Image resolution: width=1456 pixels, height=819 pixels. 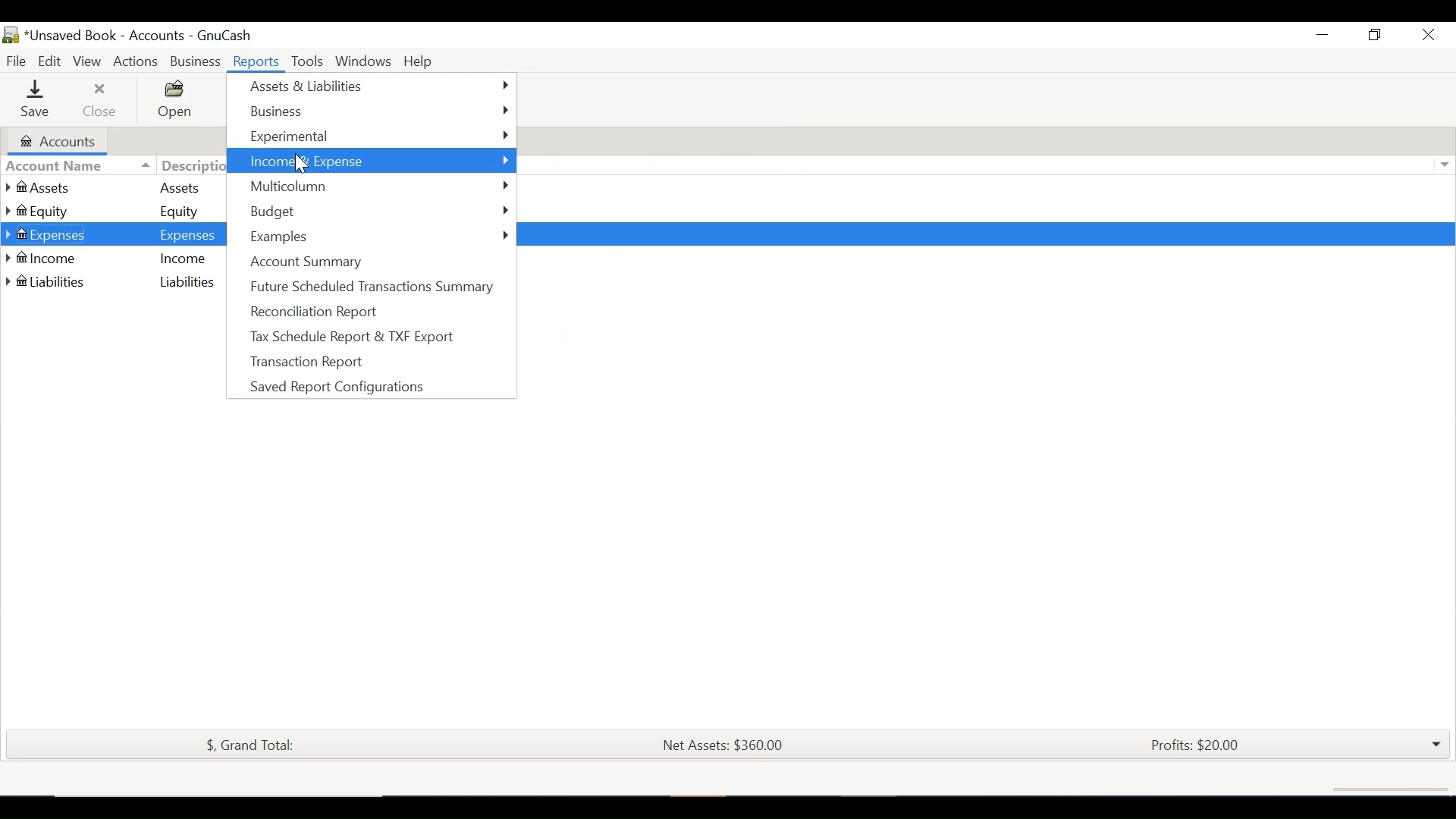 I want to click on File, so click(x=14, y=59).